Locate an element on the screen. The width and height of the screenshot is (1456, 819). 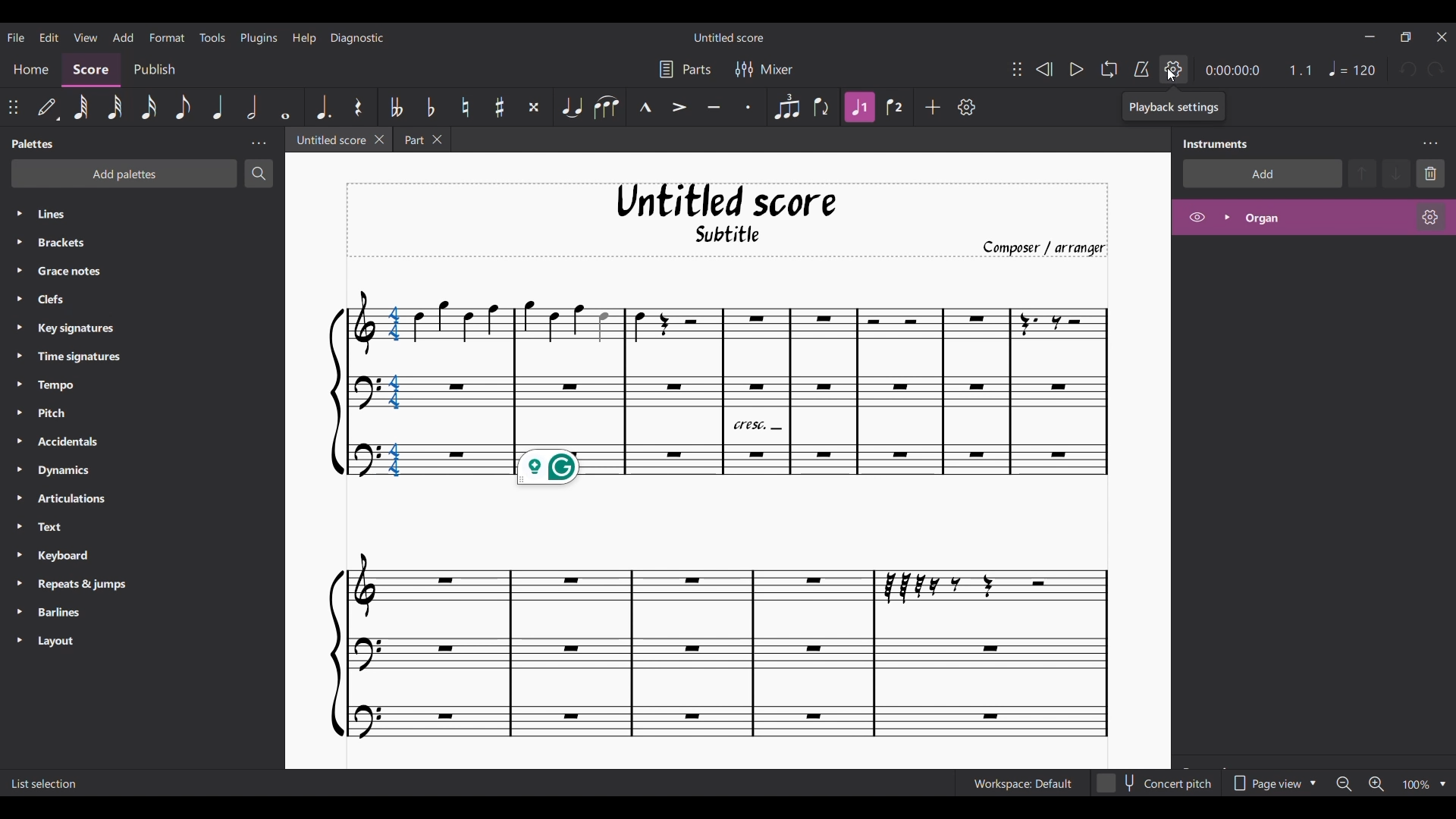
Customize toolbar is located at coordinates (967, 107).